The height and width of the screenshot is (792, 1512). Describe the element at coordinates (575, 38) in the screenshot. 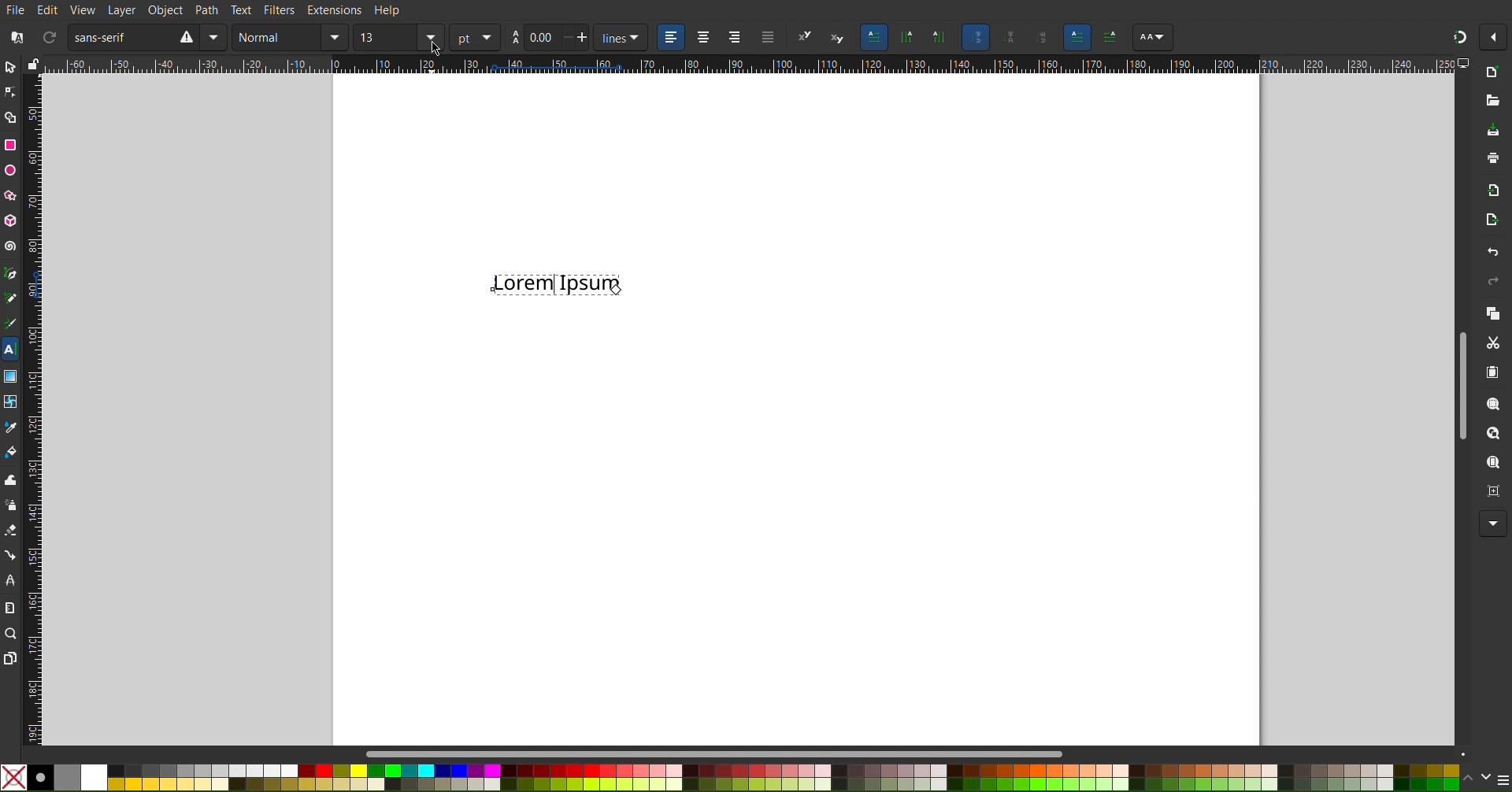

I see `increase/decrease` at that location.